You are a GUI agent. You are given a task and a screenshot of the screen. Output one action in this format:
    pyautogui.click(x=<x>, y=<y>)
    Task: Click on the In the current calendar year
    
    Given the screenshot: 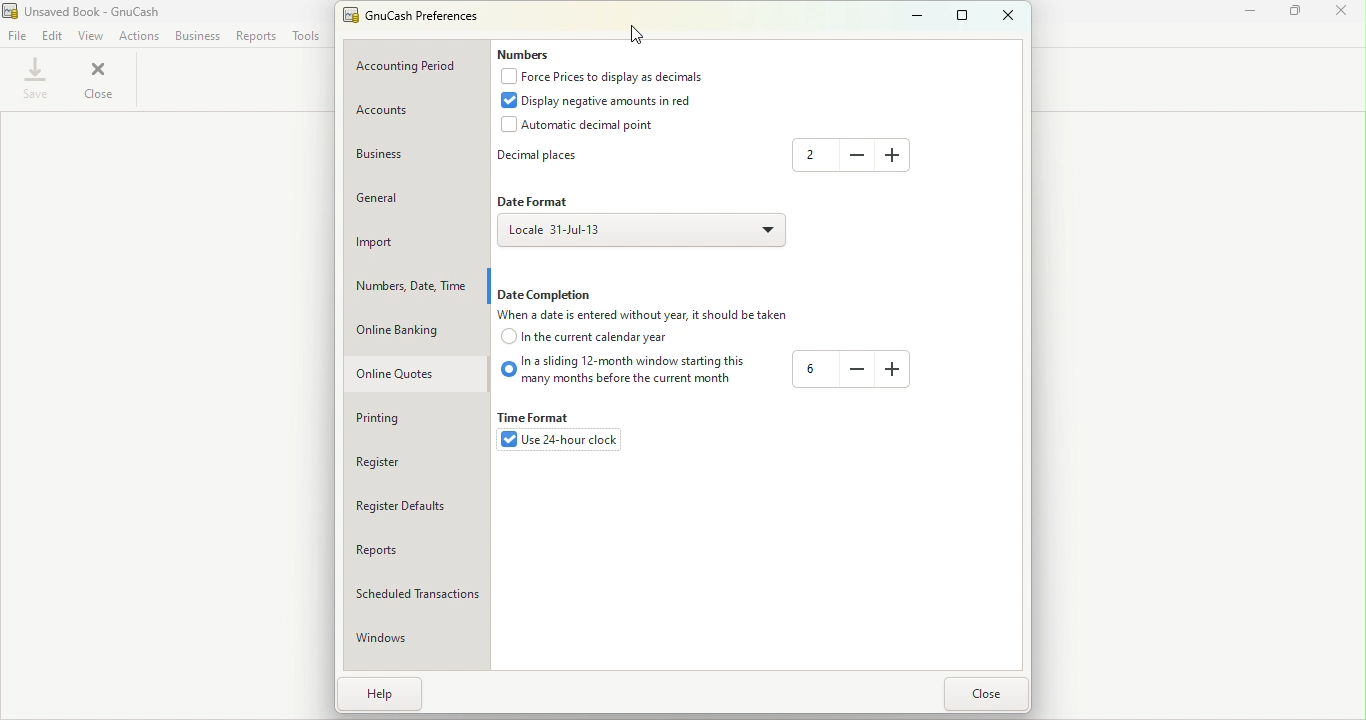 What is the action you would take?
    pyautogui.click(x=591, y=339)
    